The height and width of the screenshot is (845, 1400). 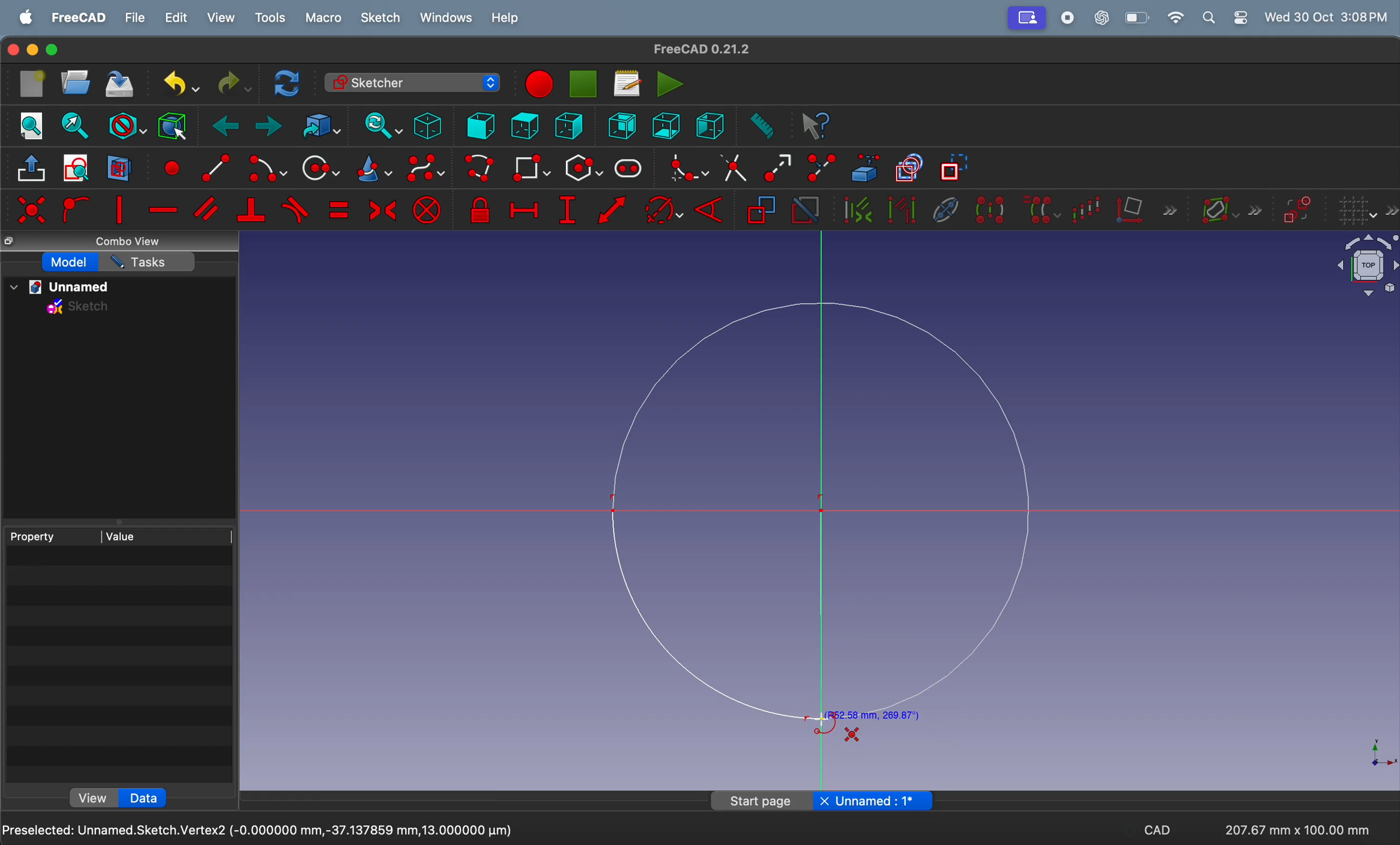 What do you see at coordinates (164, 210) in the screenshot?
I see `constrain horrizontal` at bounding box center [164, 210].